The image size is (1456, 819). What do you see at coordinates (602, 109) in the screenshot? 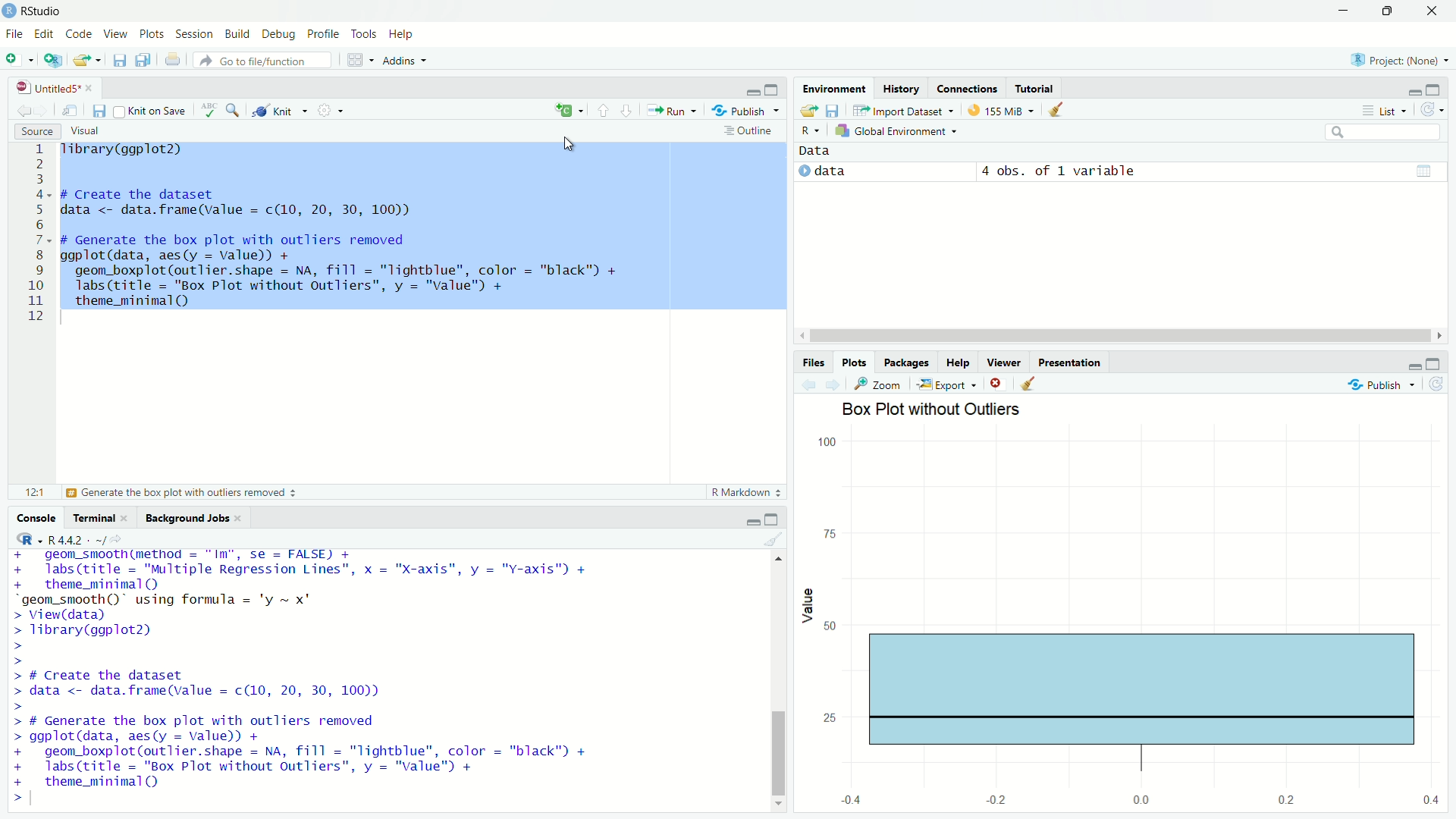
I see `upward` at bounding box center [602, 109].